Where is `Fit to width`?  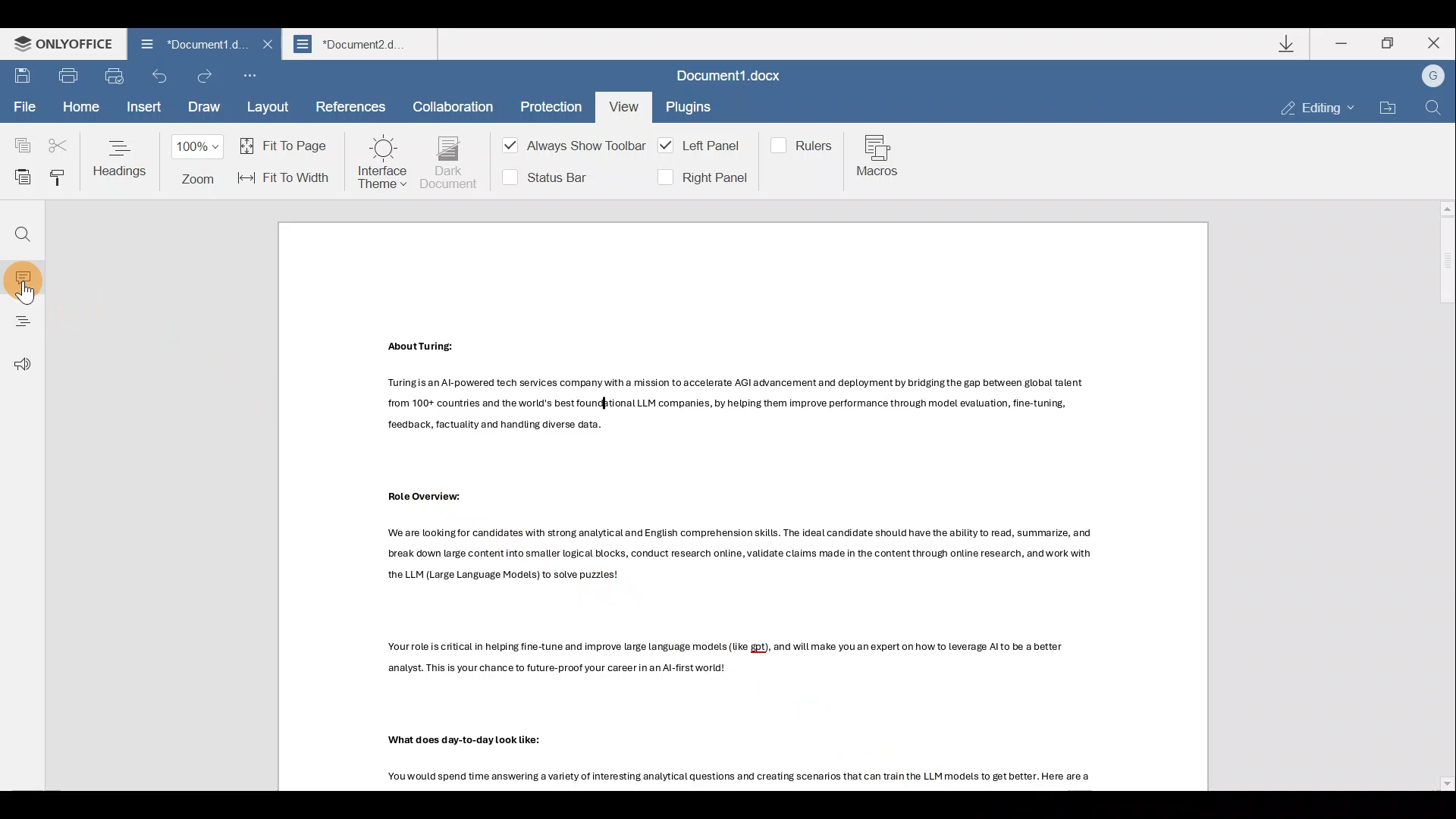
Fit to width is located at coordinates (286, 177).